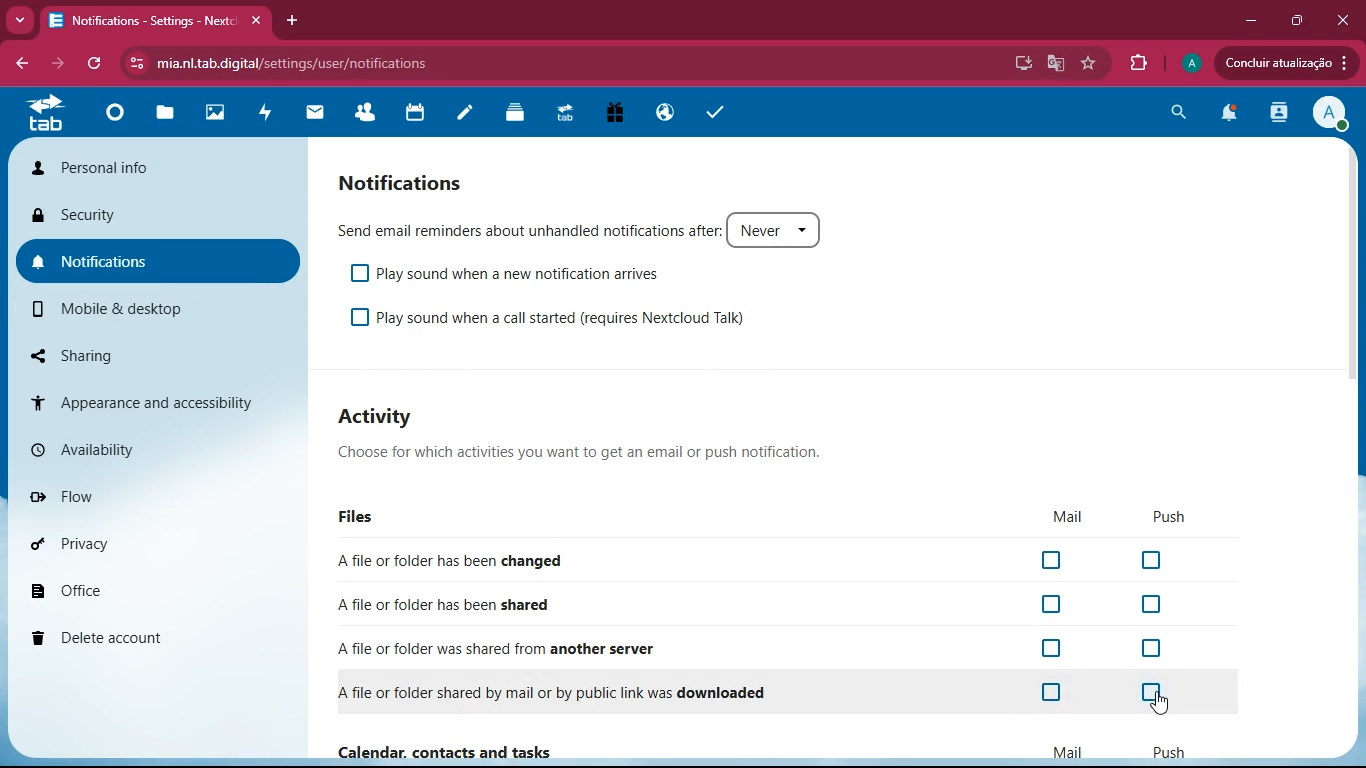 The width and height of the screenshot is (1366, 768). I want to click on off, so click(1152, 603).